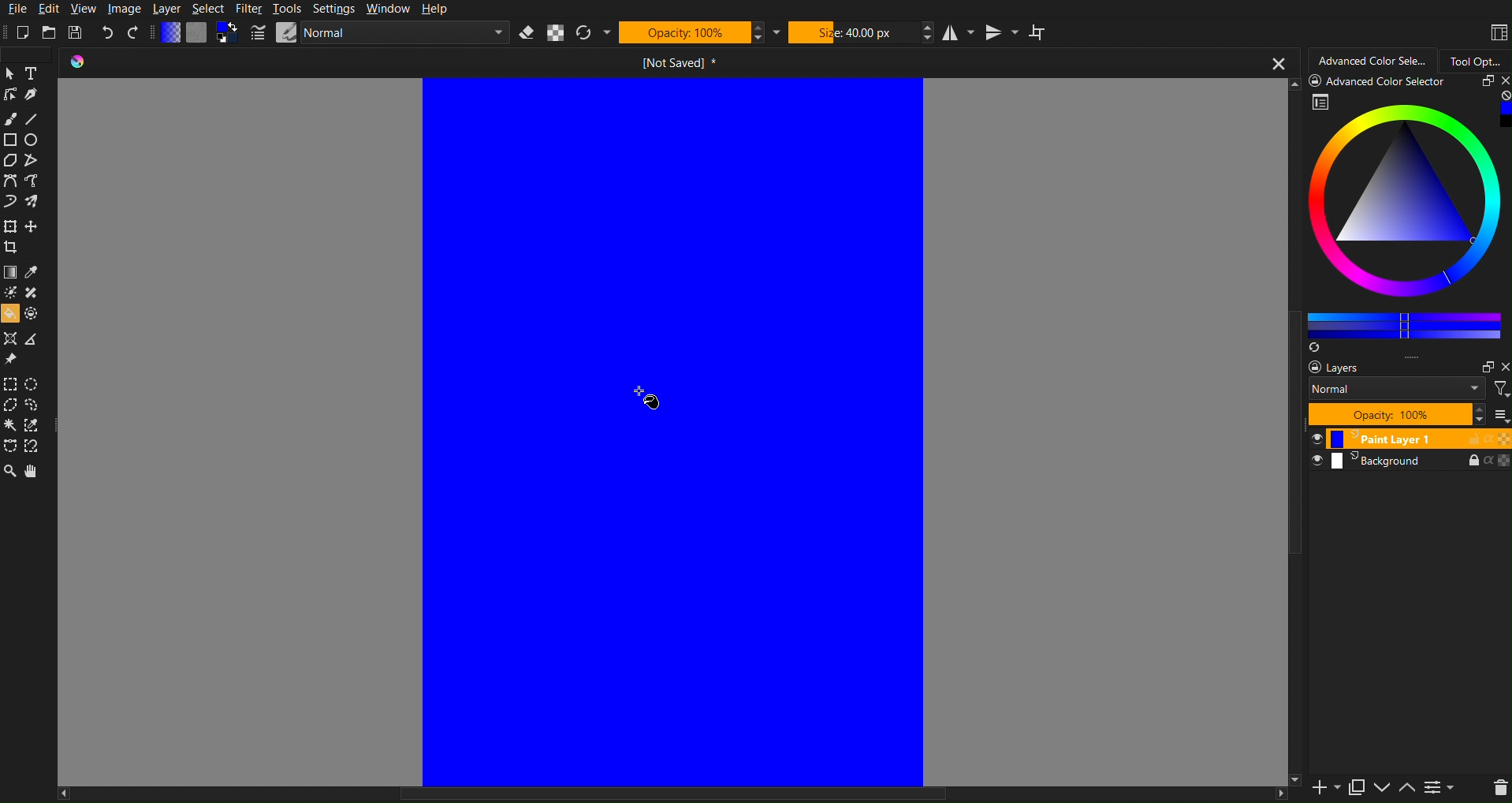 This screenshot has width=1512, height=803. Describe the element at coordinates (82, 9) in the screenshot. I see `View` at that location.